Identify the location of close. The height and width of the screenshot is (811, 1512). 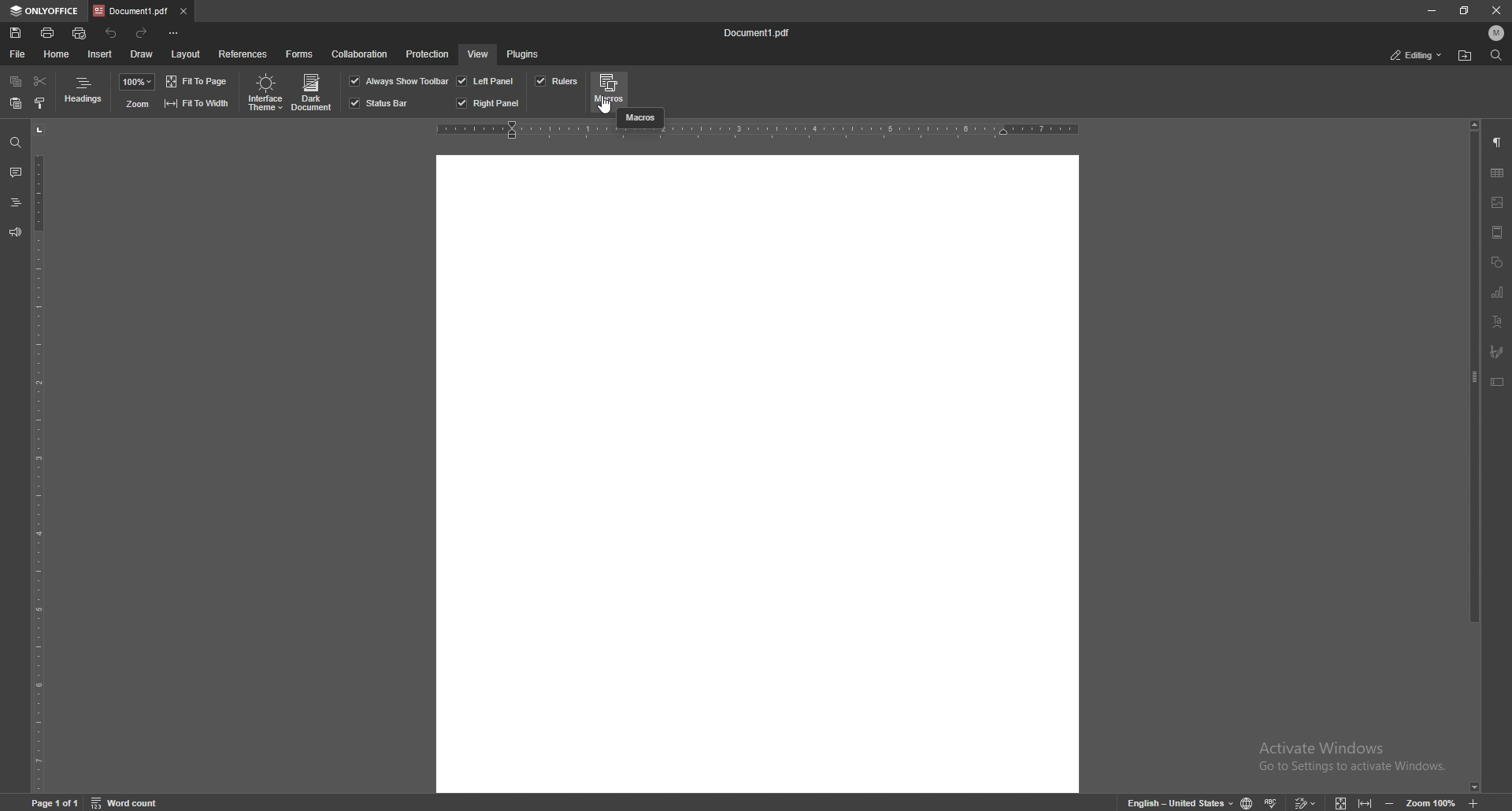
(1499, 10).